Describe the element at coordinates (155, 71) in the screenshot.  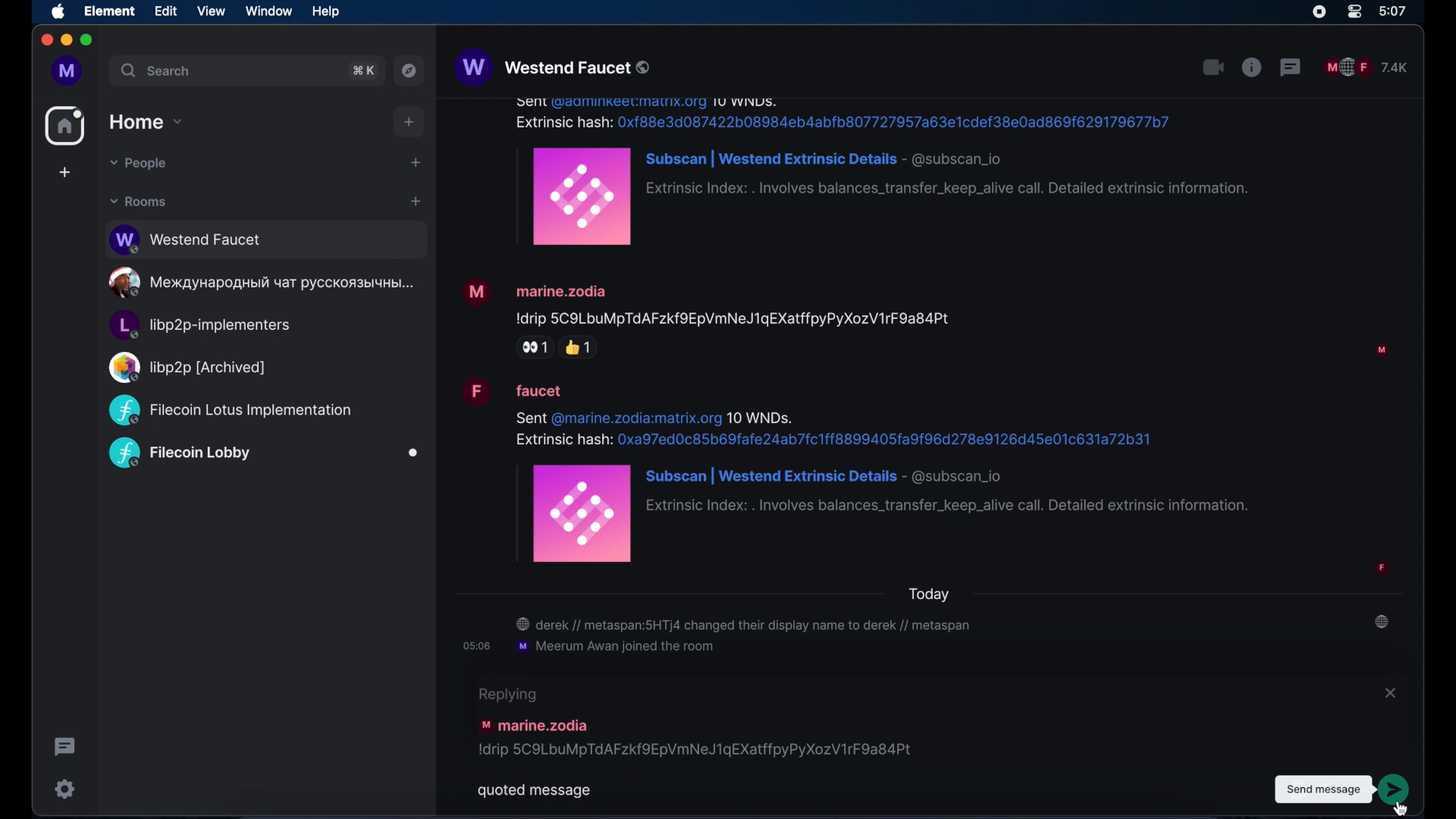
I see `search` at that location.